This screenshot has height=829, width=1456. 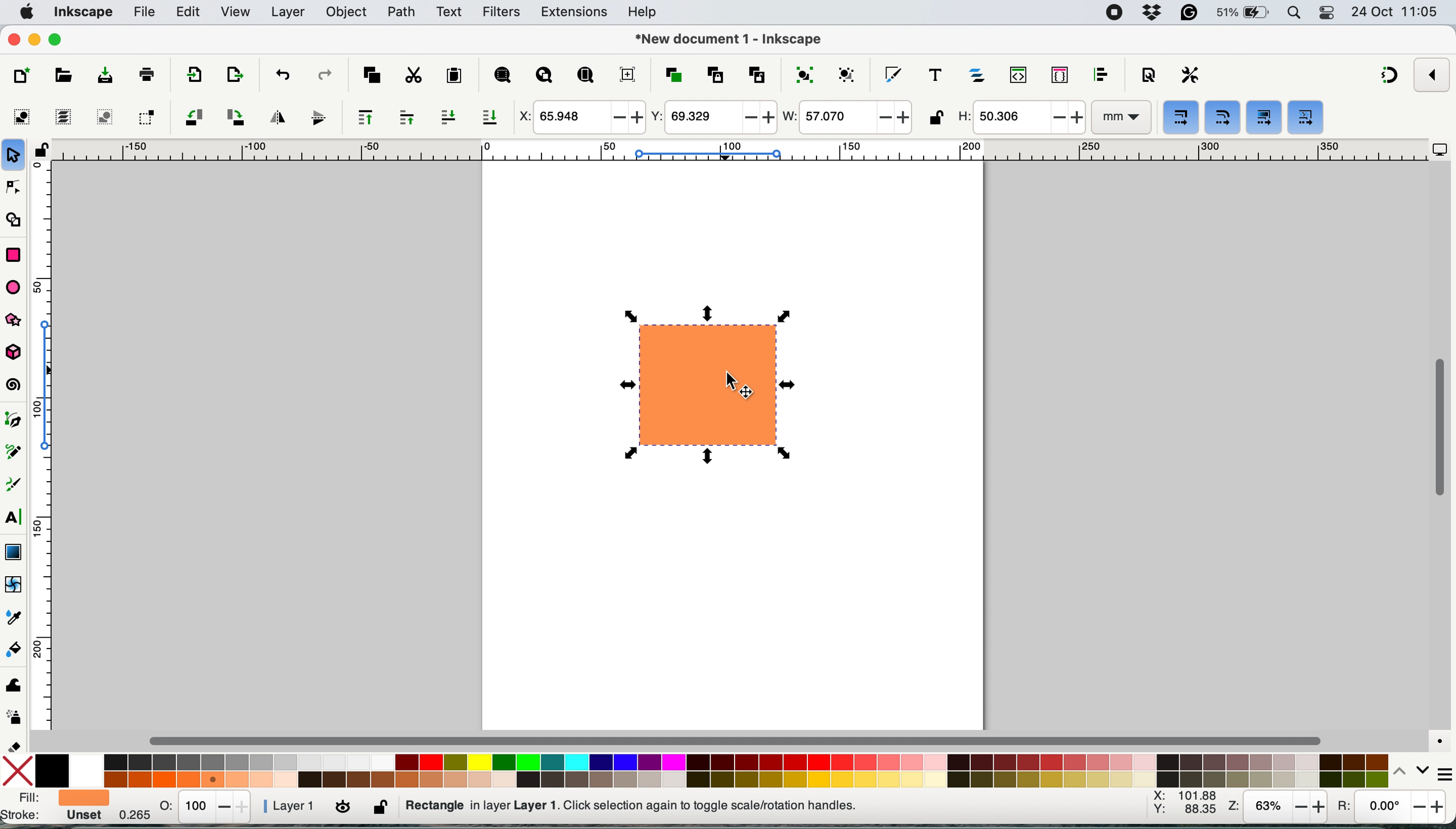 What do you see at coordinates (103, 117) in the screenshot?
I see `deselect any selected objects` at bounding box center [103, 117].